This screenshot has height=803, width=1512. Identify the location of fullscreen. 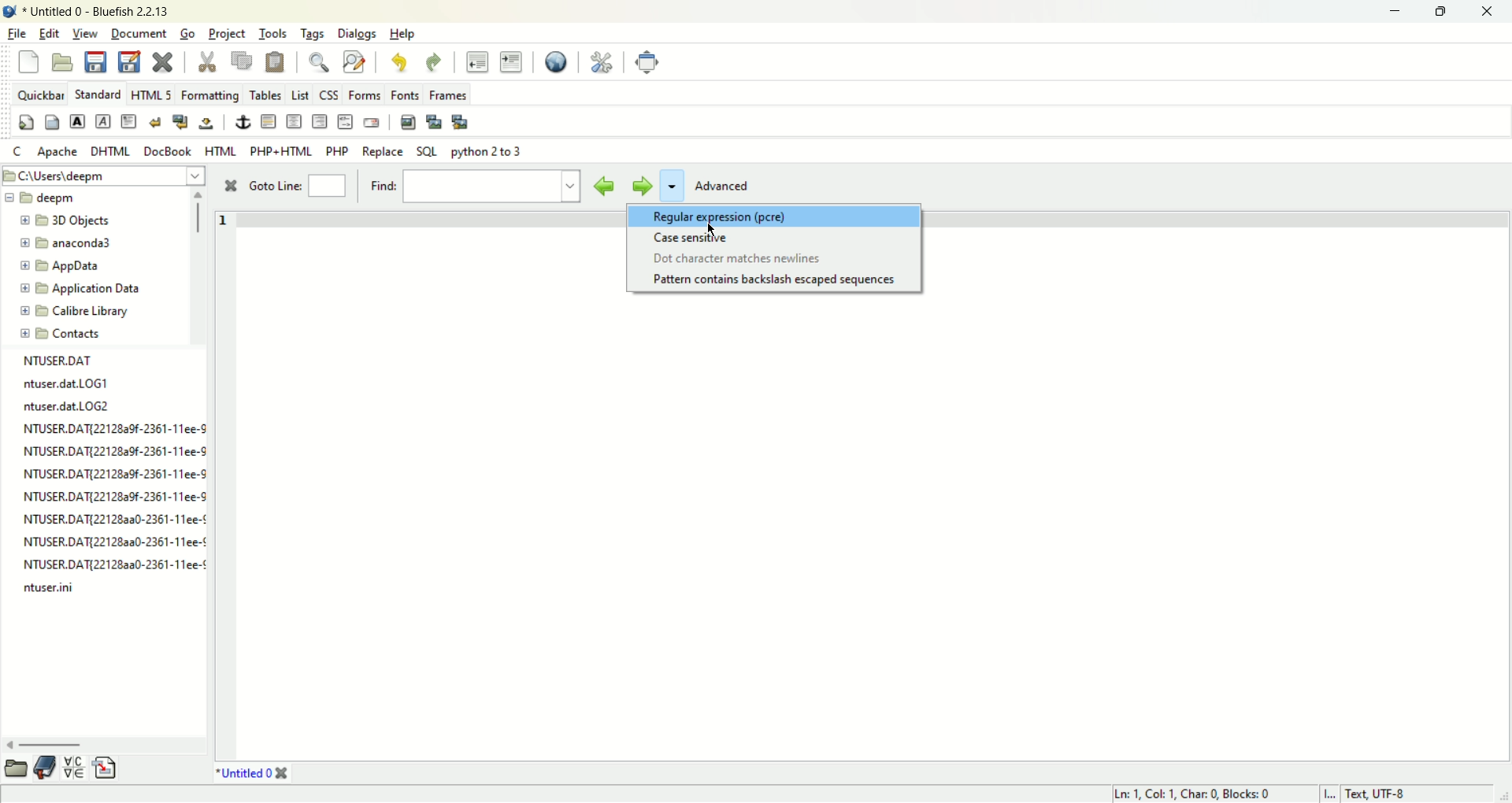
(647, 61).